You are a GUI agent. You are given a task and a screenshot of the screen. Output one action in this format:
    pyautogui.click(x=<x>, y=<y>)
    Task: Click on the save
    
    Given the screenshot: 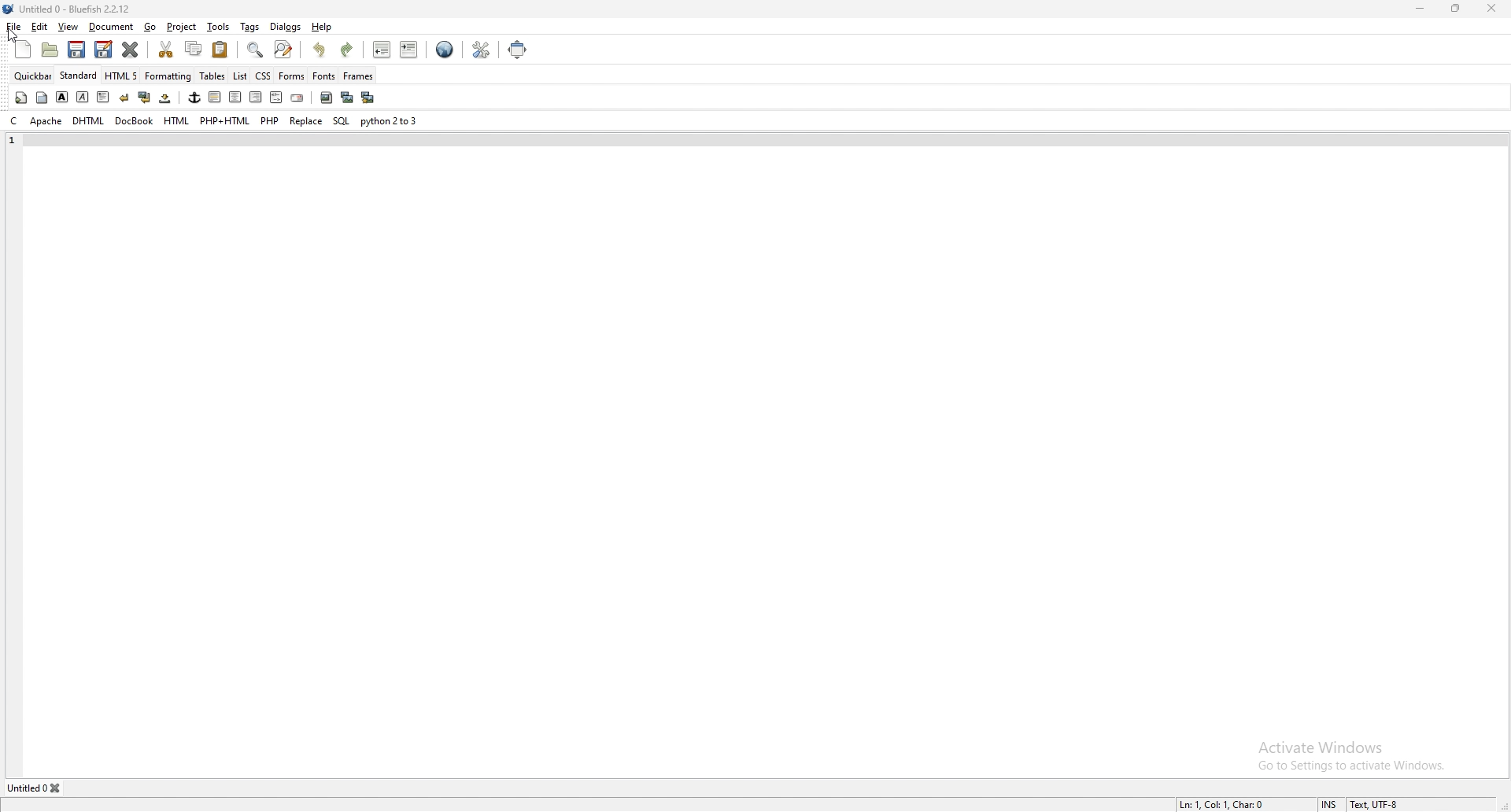 What is the action you would take?
    pyautogui.click(x=76, y=50)
    